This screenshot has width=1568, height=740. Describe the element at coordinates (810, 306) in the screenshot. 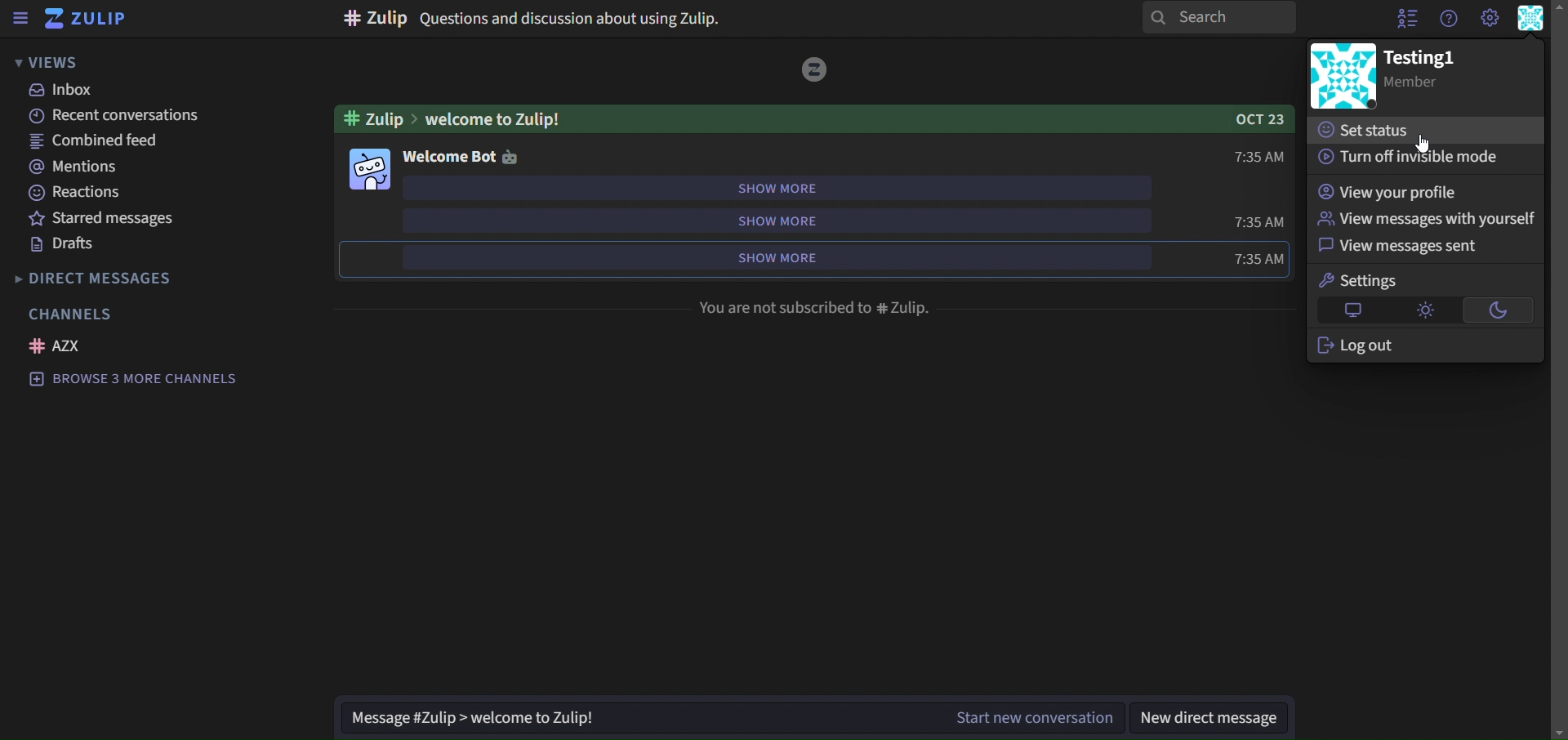

I see `You are not subscribed to # Zulip.` at that location.